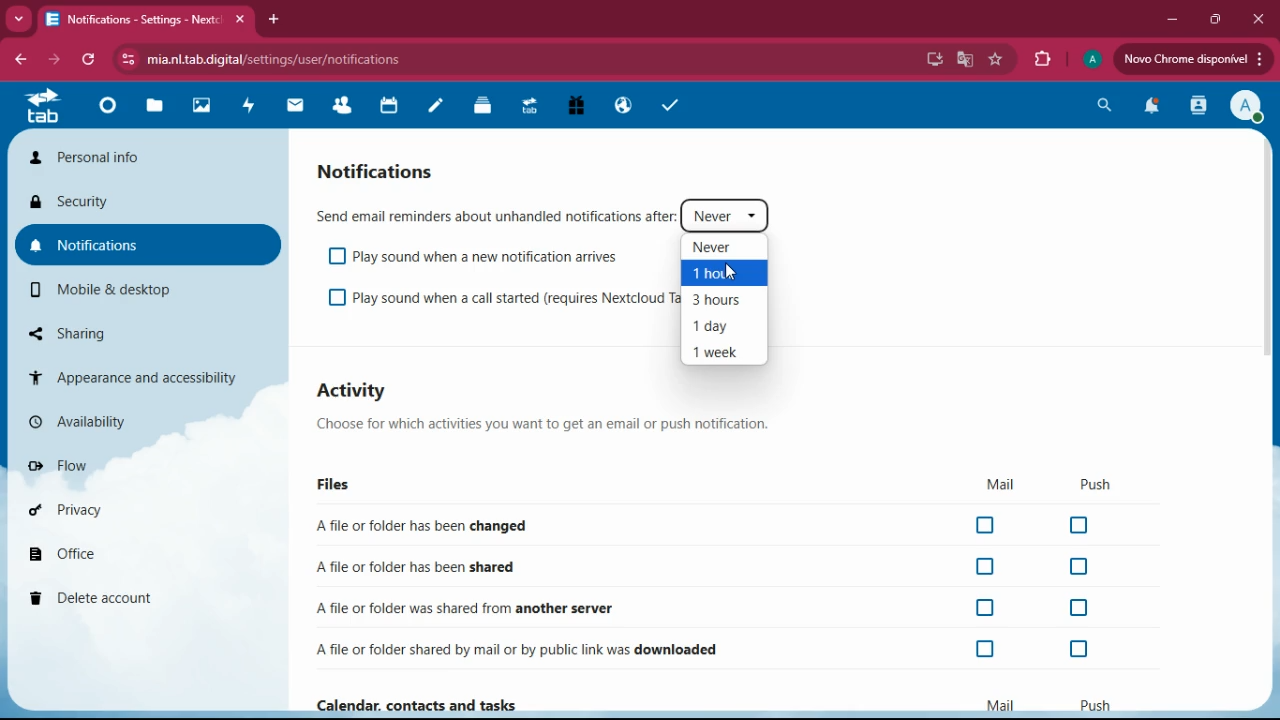  I want to click on security, so click(145, 204).